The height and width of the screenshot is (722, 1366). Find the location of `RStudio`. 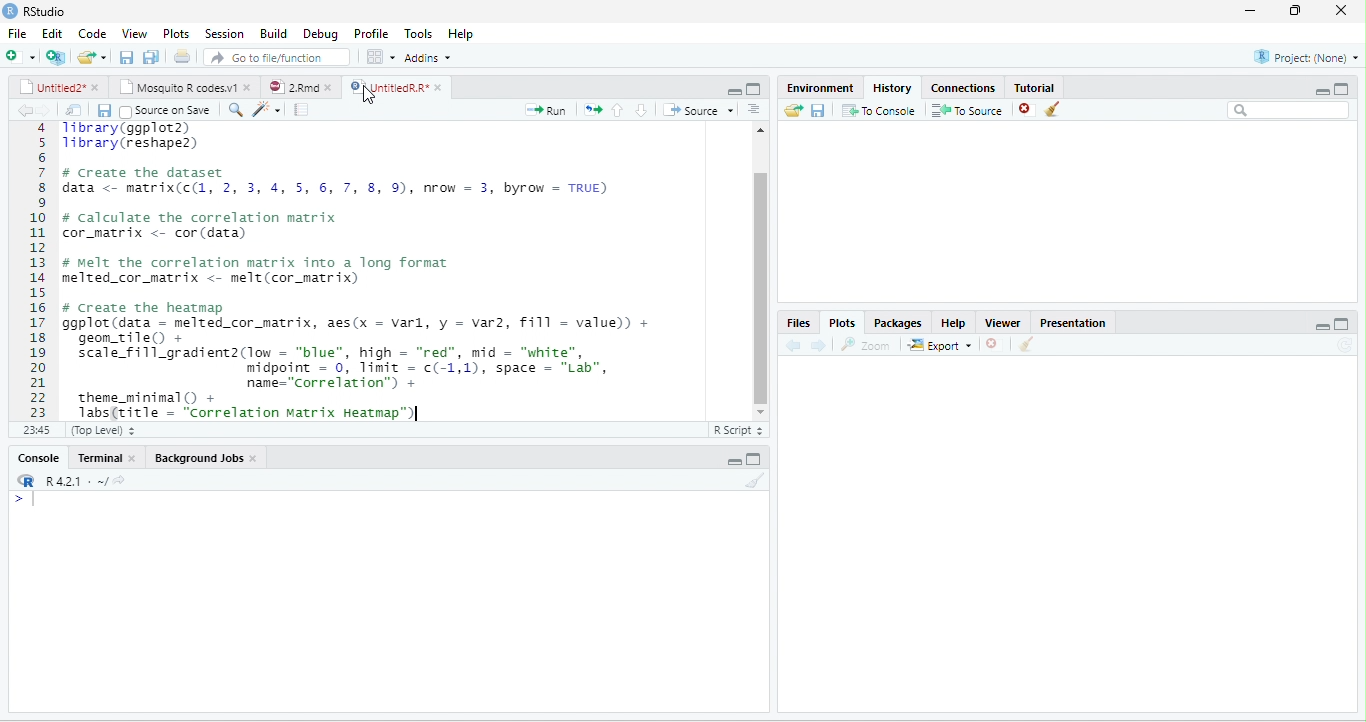

RStudio is located at coordinates (48, 12).